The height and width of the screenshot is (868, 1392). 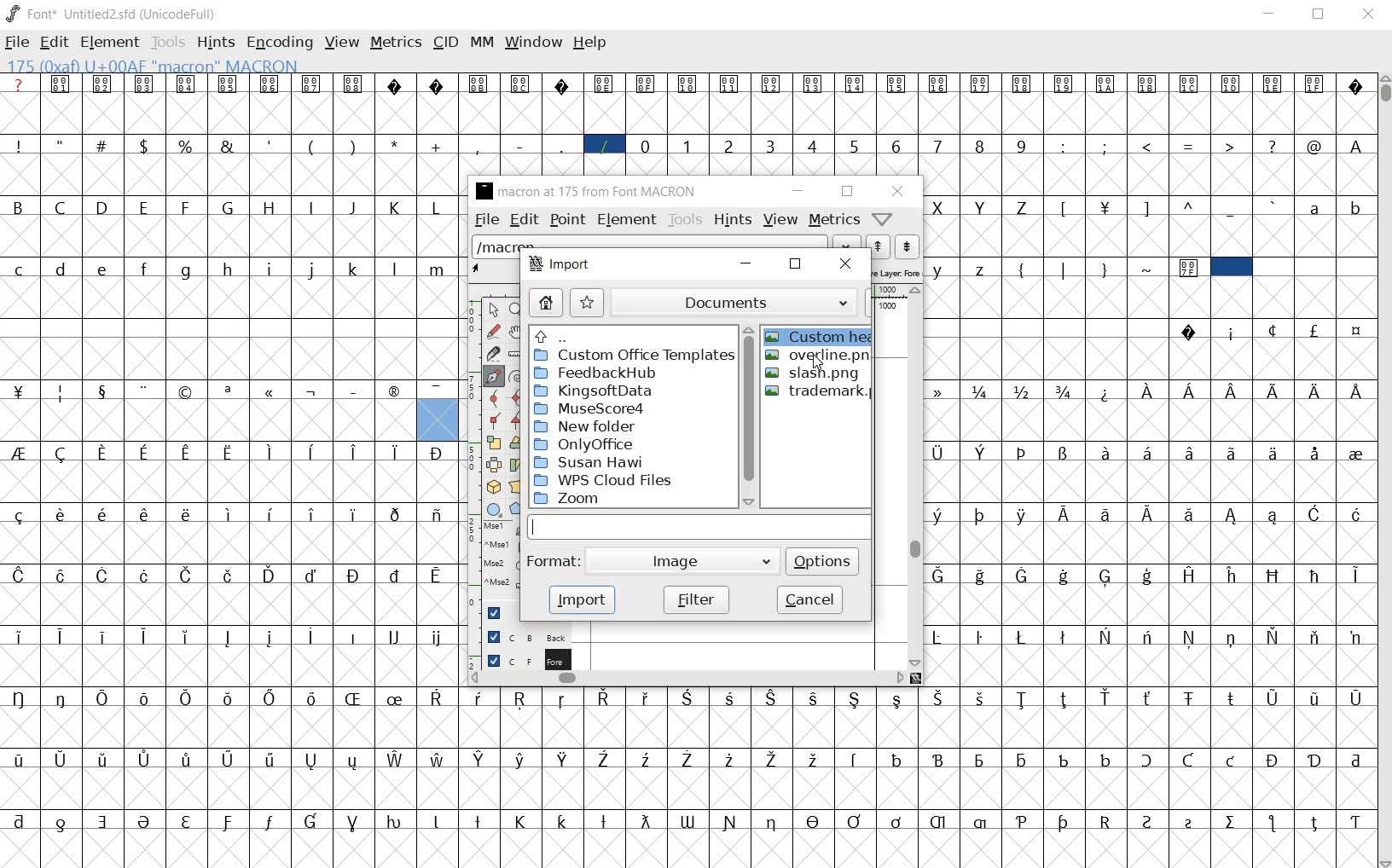 What do you see at coordinates (1273, 454) in the screenshot?
I see `Symbol` at bounding box center [1273, 454].